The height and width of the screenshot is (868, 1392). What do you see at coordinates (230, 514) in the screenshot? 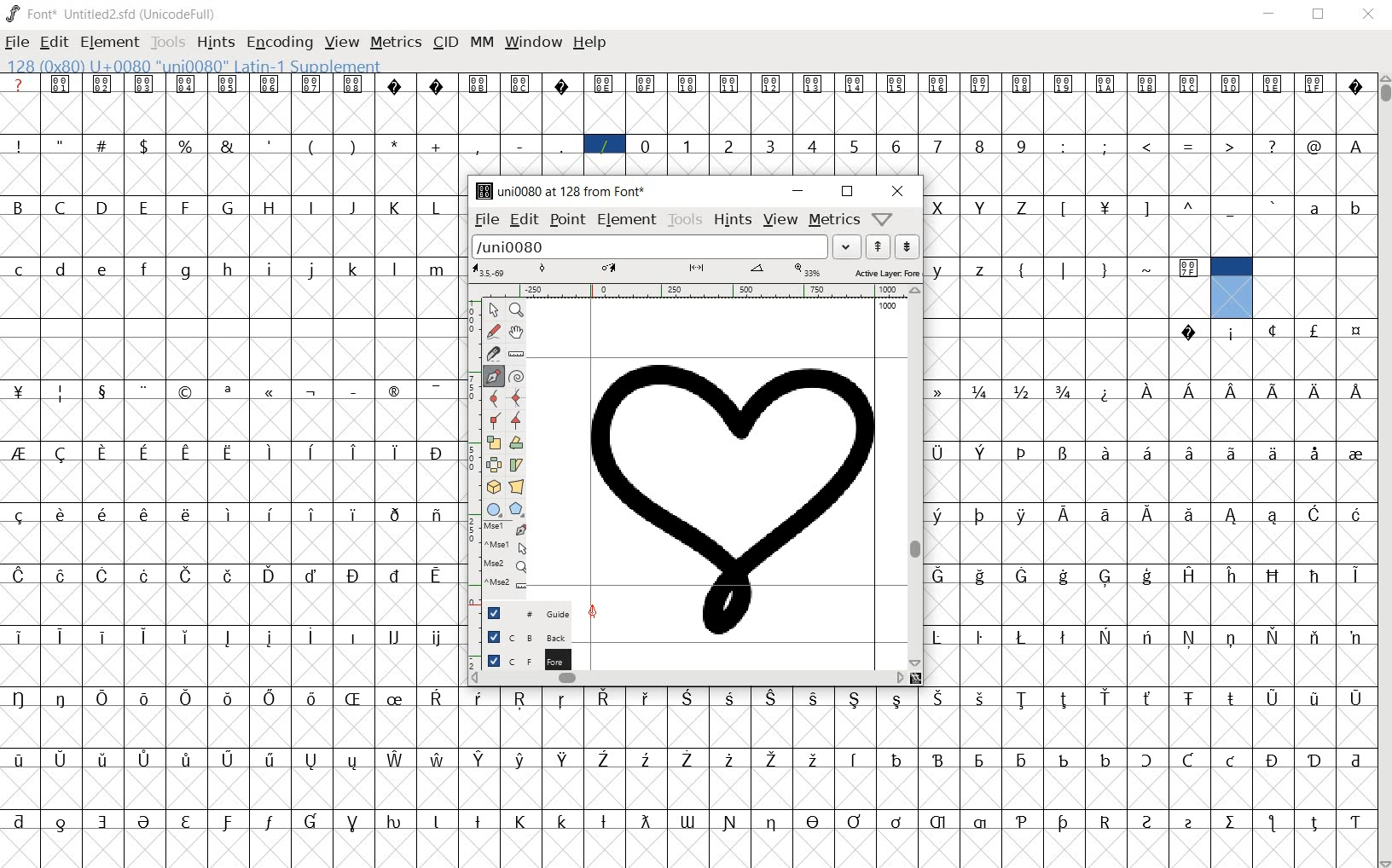
I see `glyph` at bounding box center [230, 514].